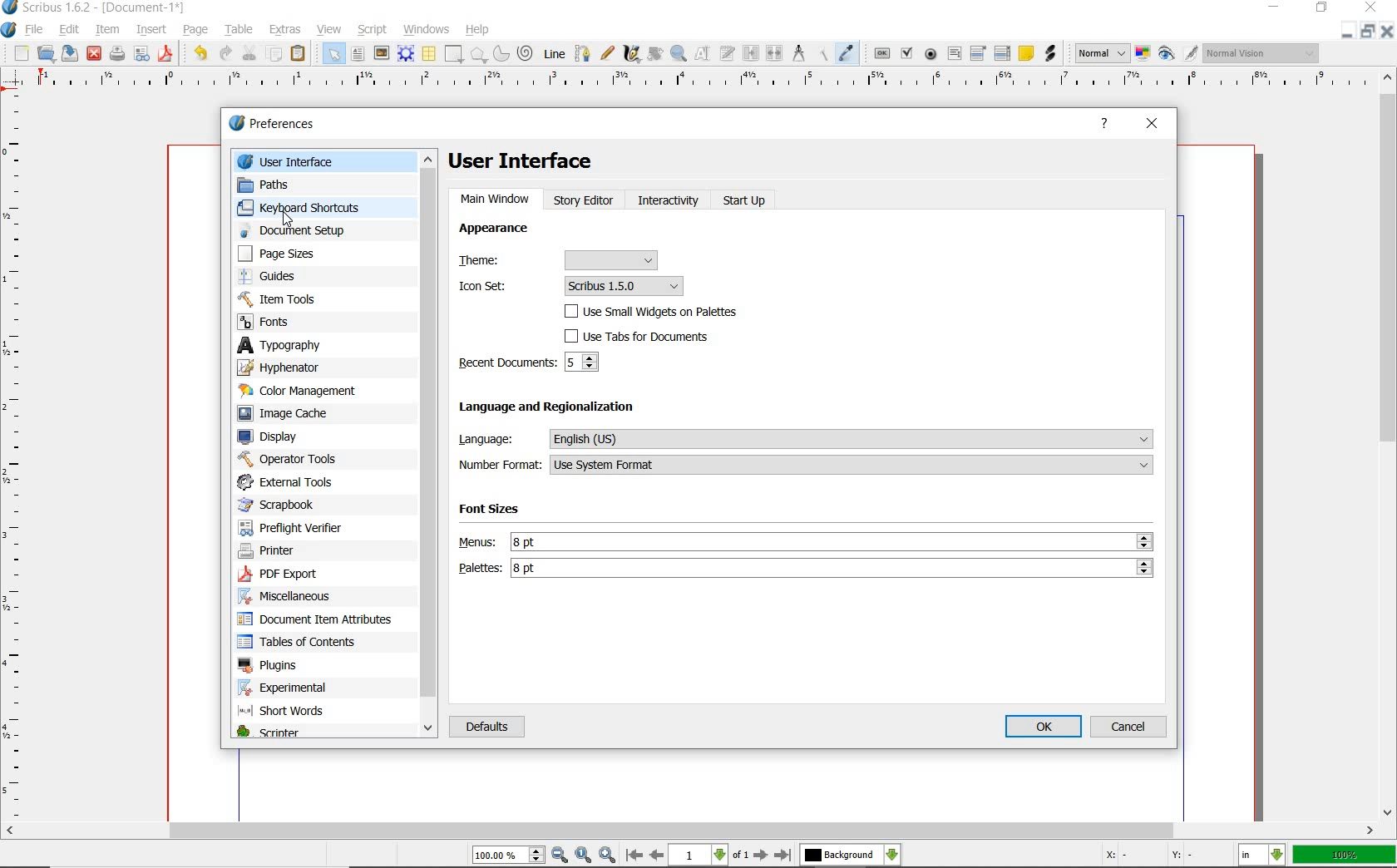 Image resolution: width=1397 pixels, height=868 pixels. Describe the element at coordinates (801, 55) in the screenshot. I see `measurements` at that location.